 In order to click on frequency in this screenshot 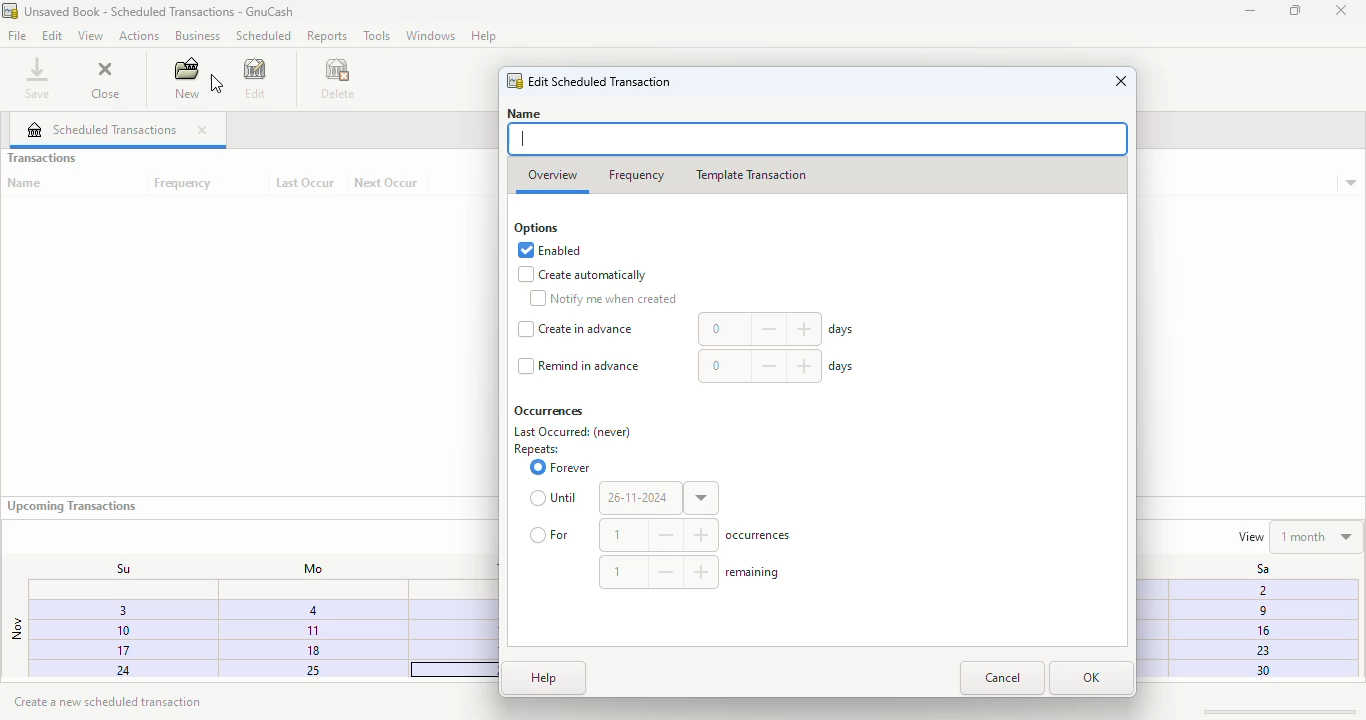, I will do `click(184, 184)`.